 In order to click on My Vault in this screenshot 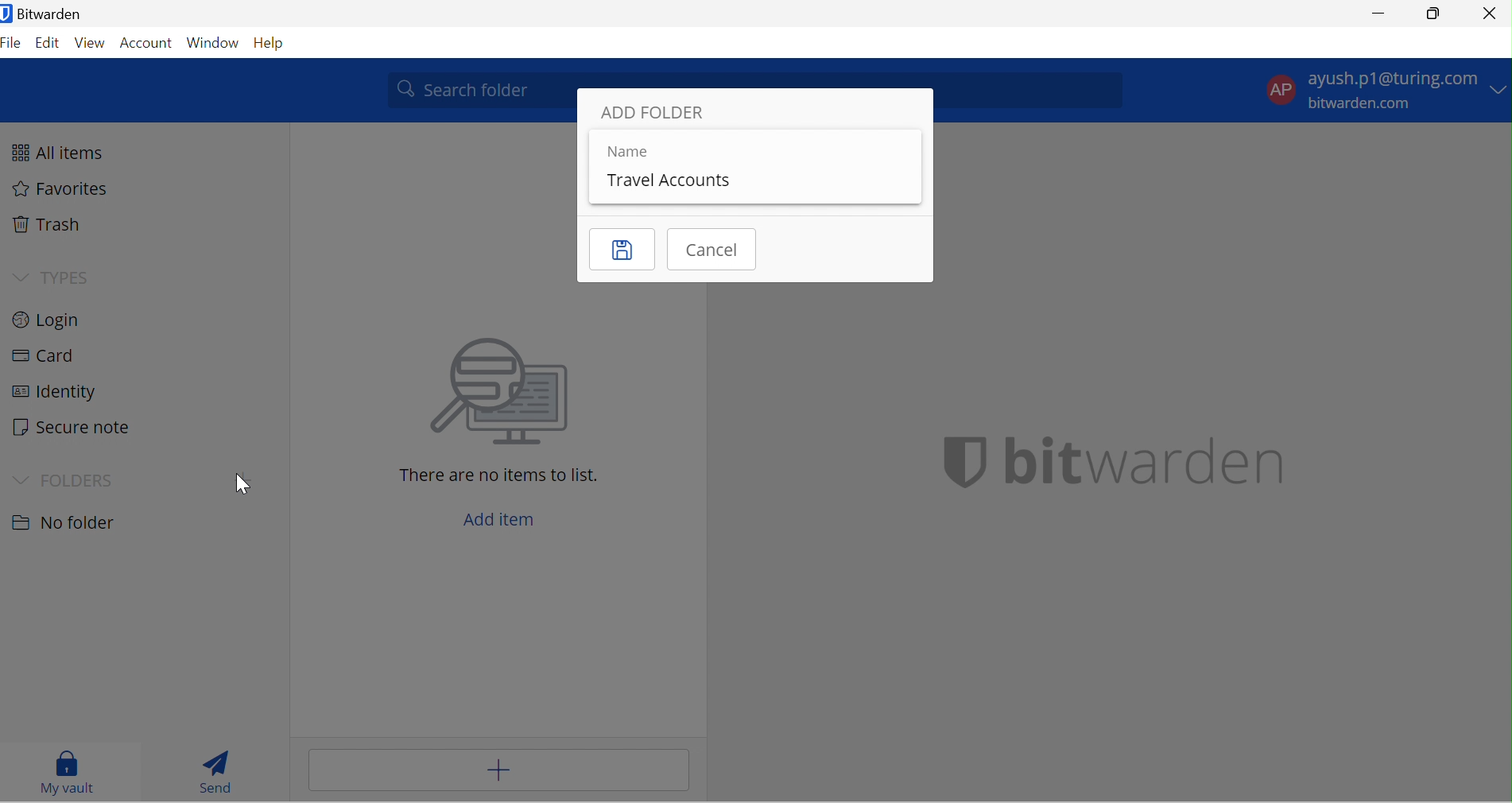, I will do `click(69, 772)`.